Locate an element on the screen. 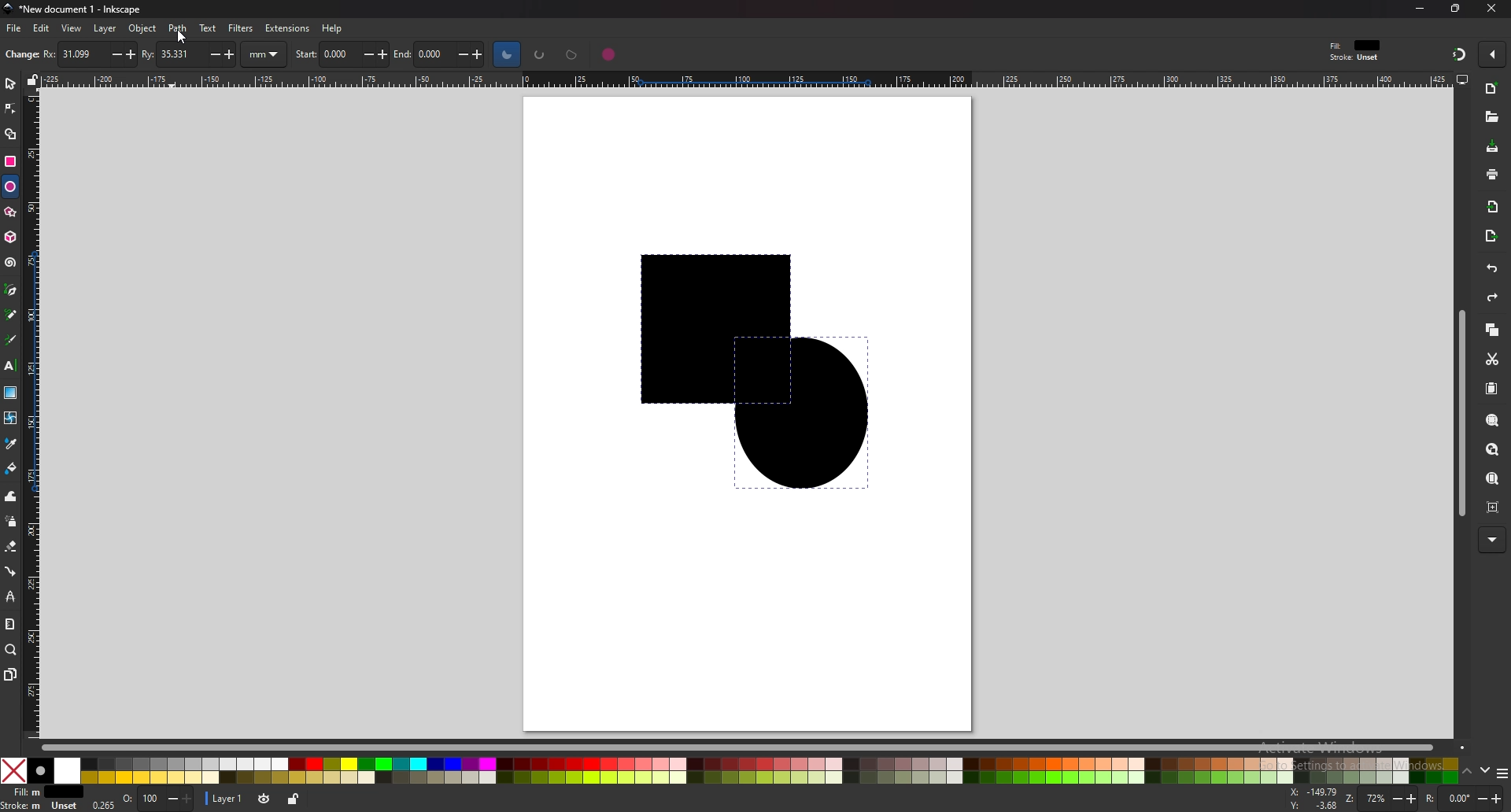  gradient is located at coordinates (10, 393).